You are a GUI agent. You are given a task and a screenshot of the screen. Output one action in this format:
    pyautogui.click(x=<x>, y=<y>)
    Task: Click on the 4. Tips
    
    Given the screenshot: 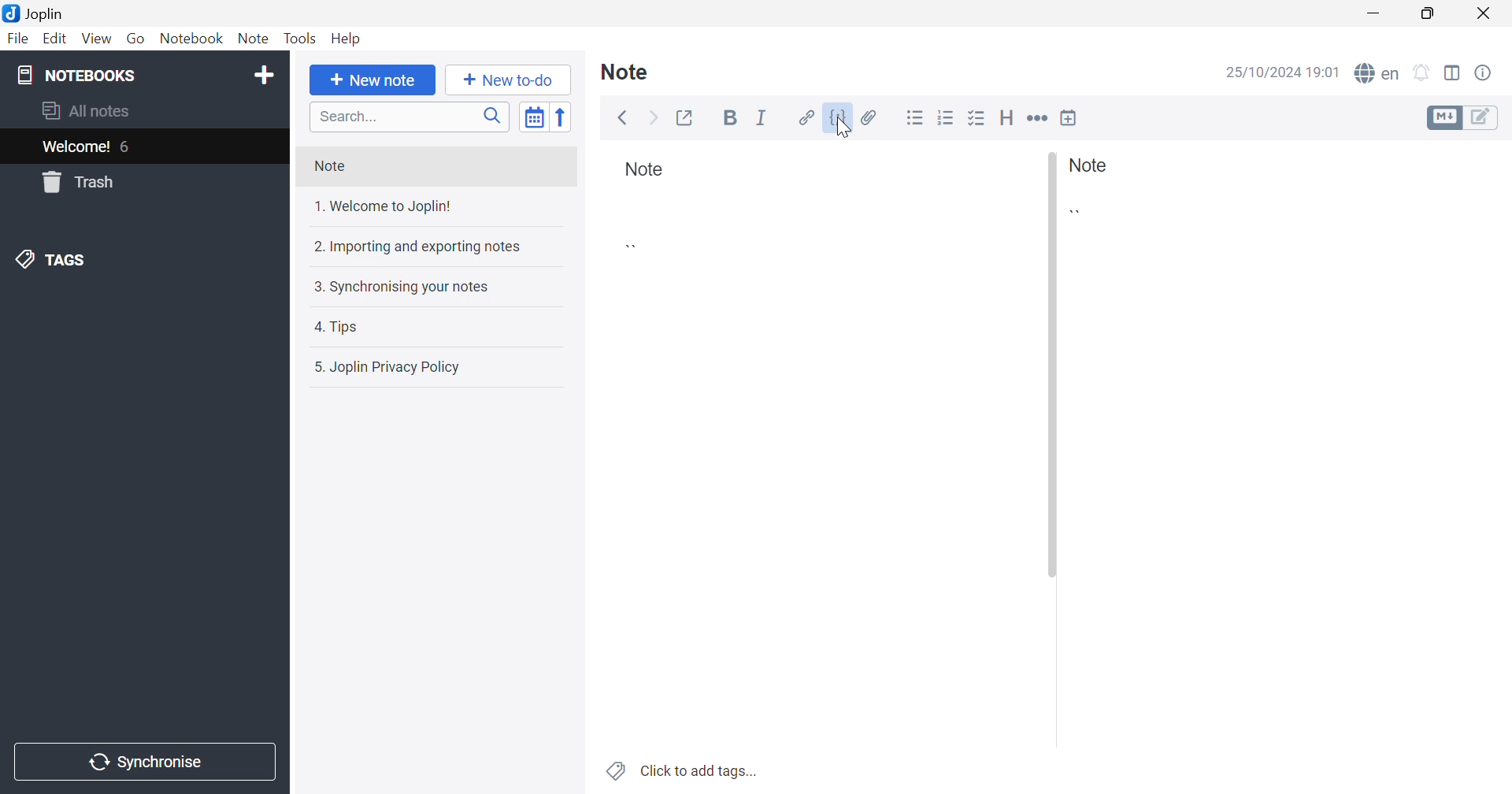 What is the action you would take?
    pyautogui.click(x=335, y=326)
    